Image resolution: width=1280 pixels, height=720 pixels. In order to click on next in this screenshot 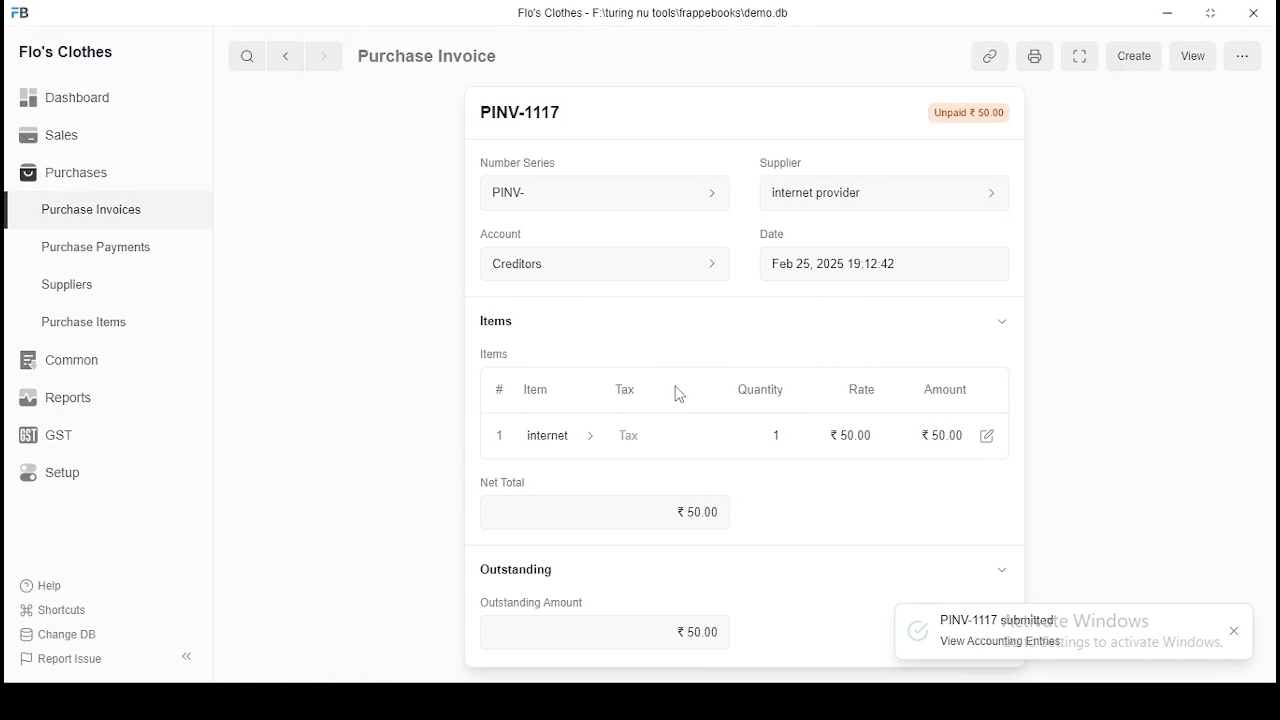, I will do `click(324, 58)`.